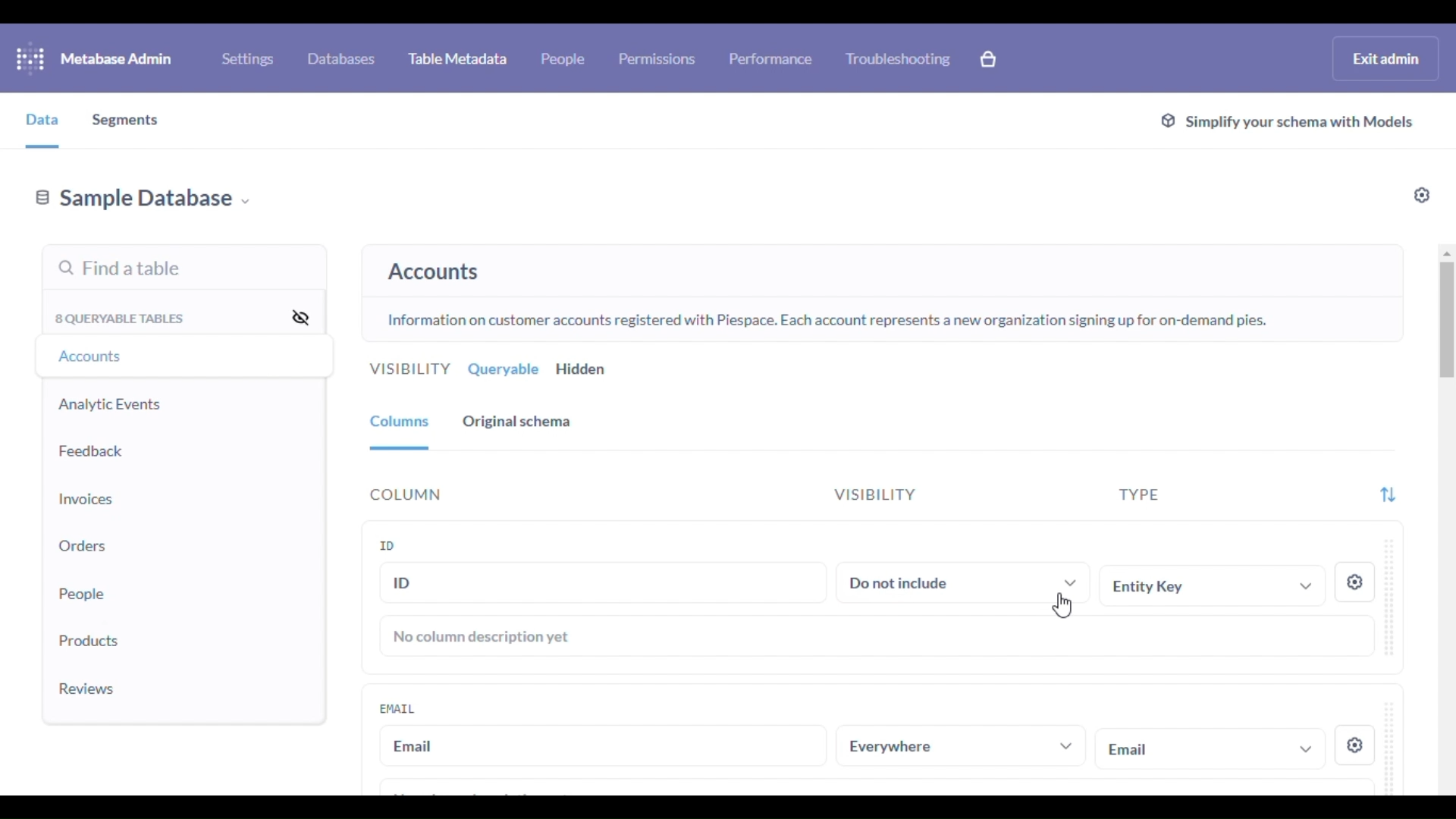 This screenshot has width=1456, height=819. Describe the element at coordinates (86, 500) in the screenshot. I see `invoices` at that location.